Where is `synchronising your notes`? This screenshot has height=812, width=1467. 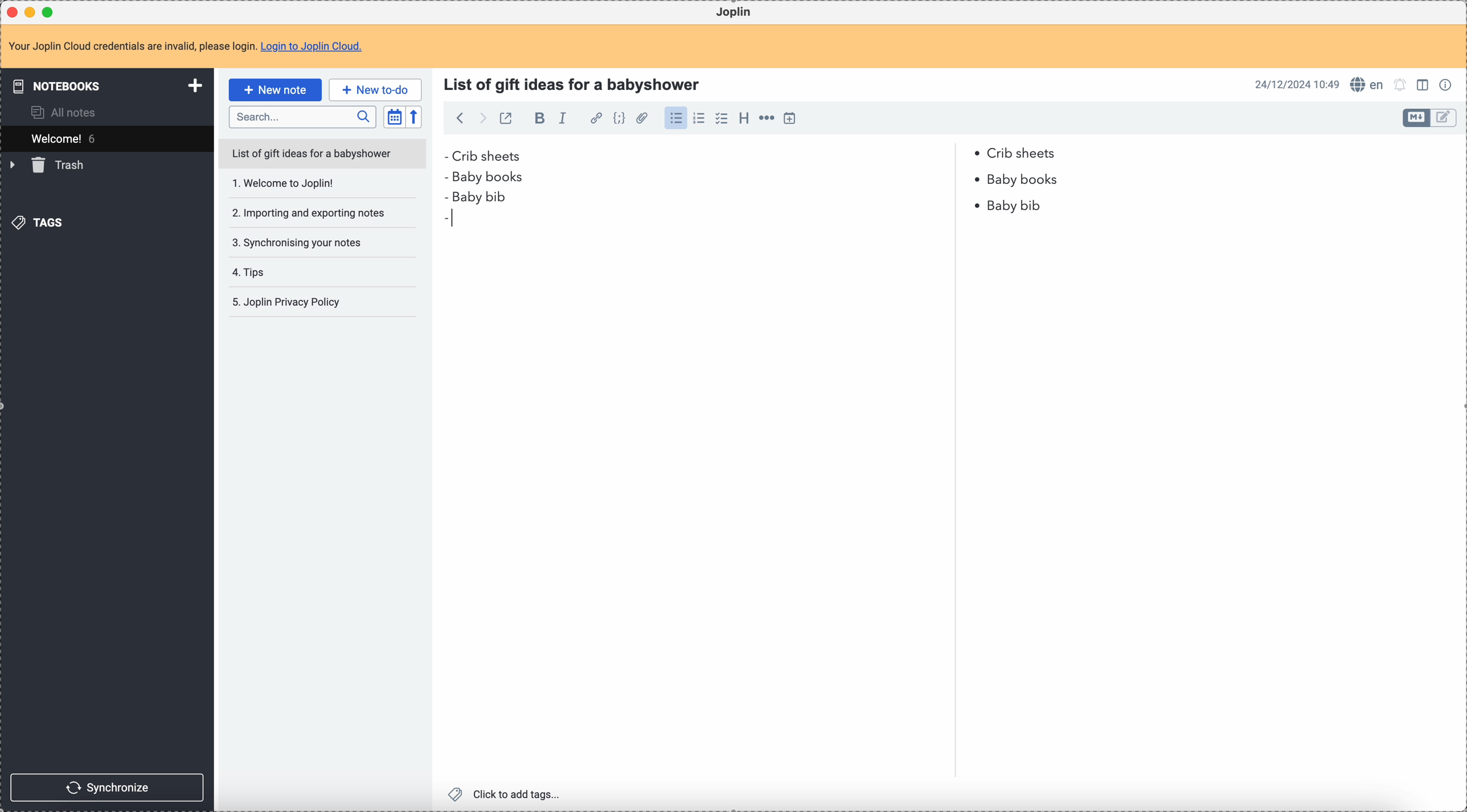
synchronising your notes is located at coordinates (306, 243).